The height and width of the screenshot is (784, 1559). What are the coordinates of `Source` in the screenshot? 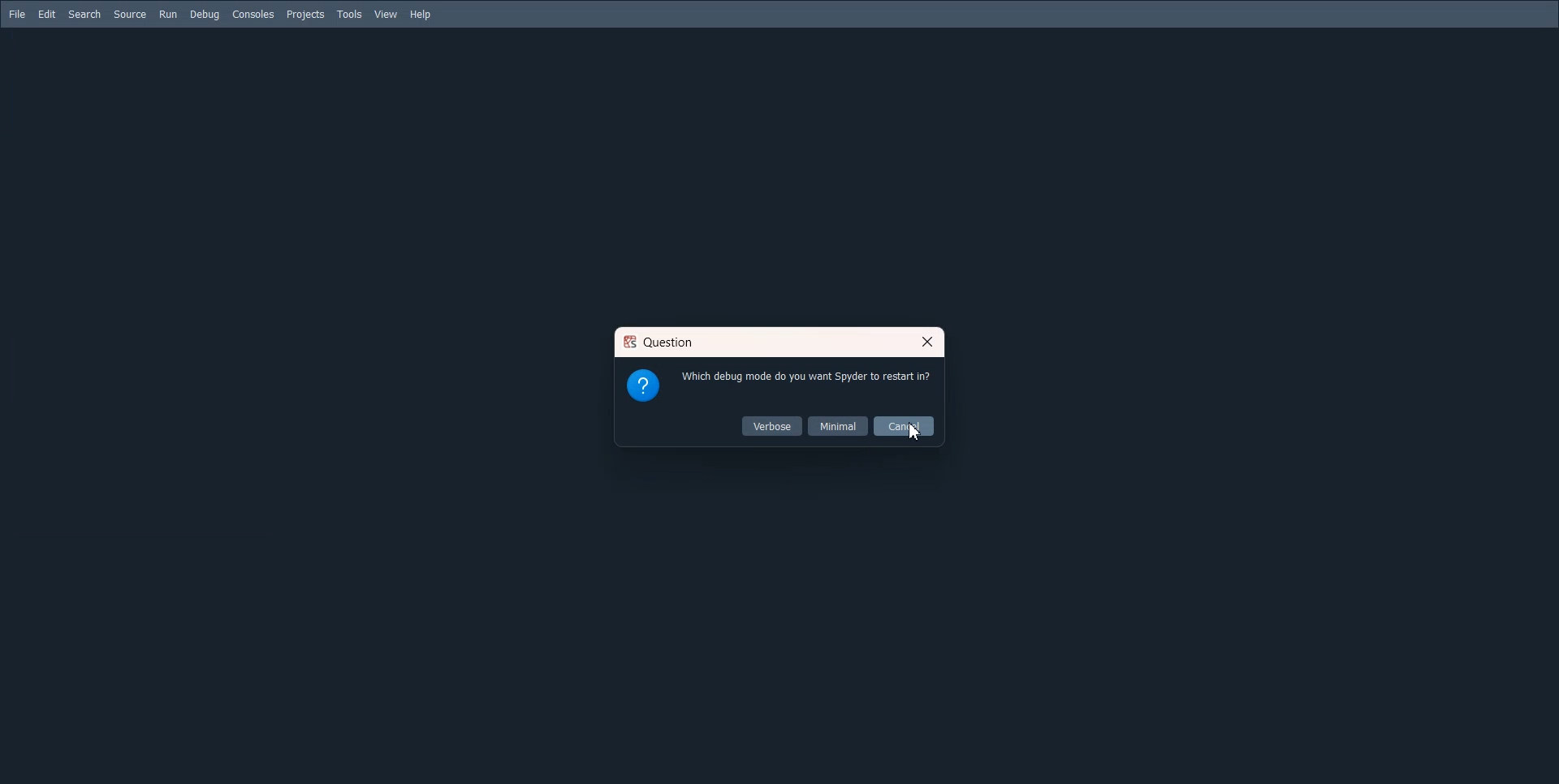 It's located at (130, 14).